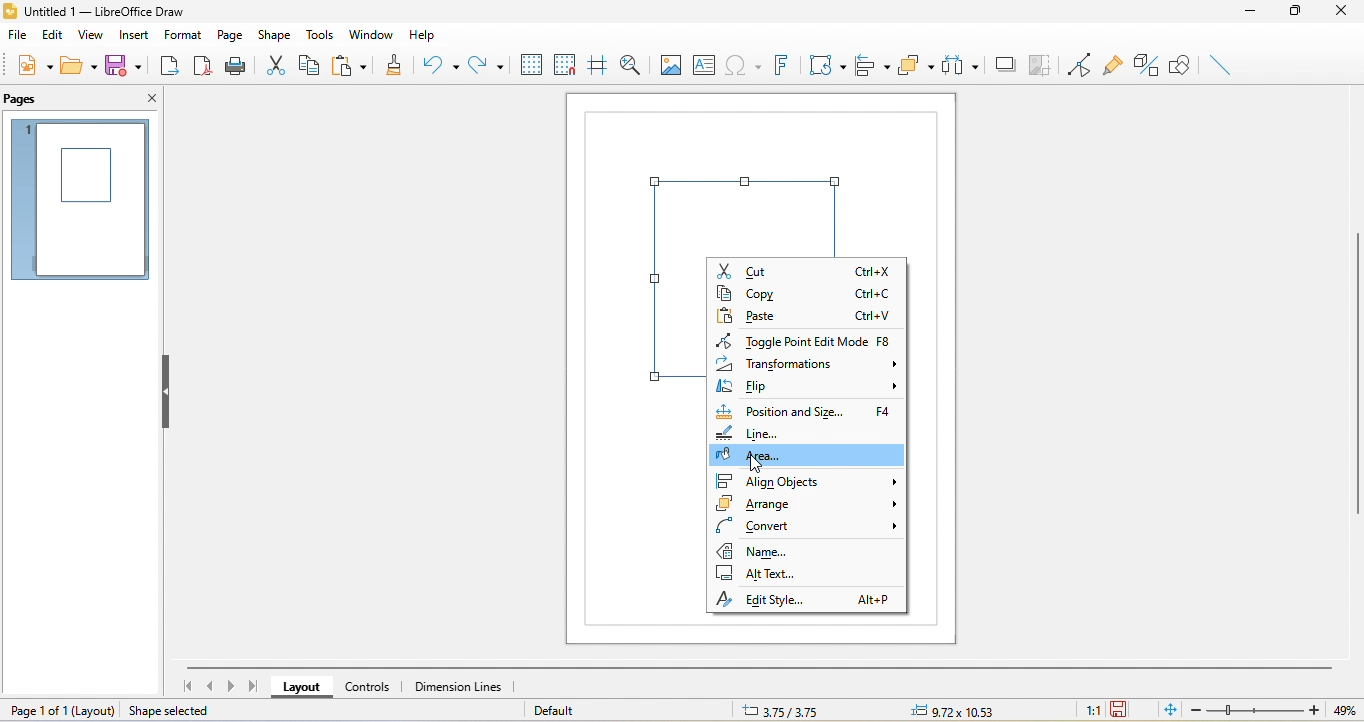 The height and width of the screenshot is (722, 1364). What do you see at coordinates (756, 464) in the screenshot?
I see `cursor movement` at bounding box center [756, 464].